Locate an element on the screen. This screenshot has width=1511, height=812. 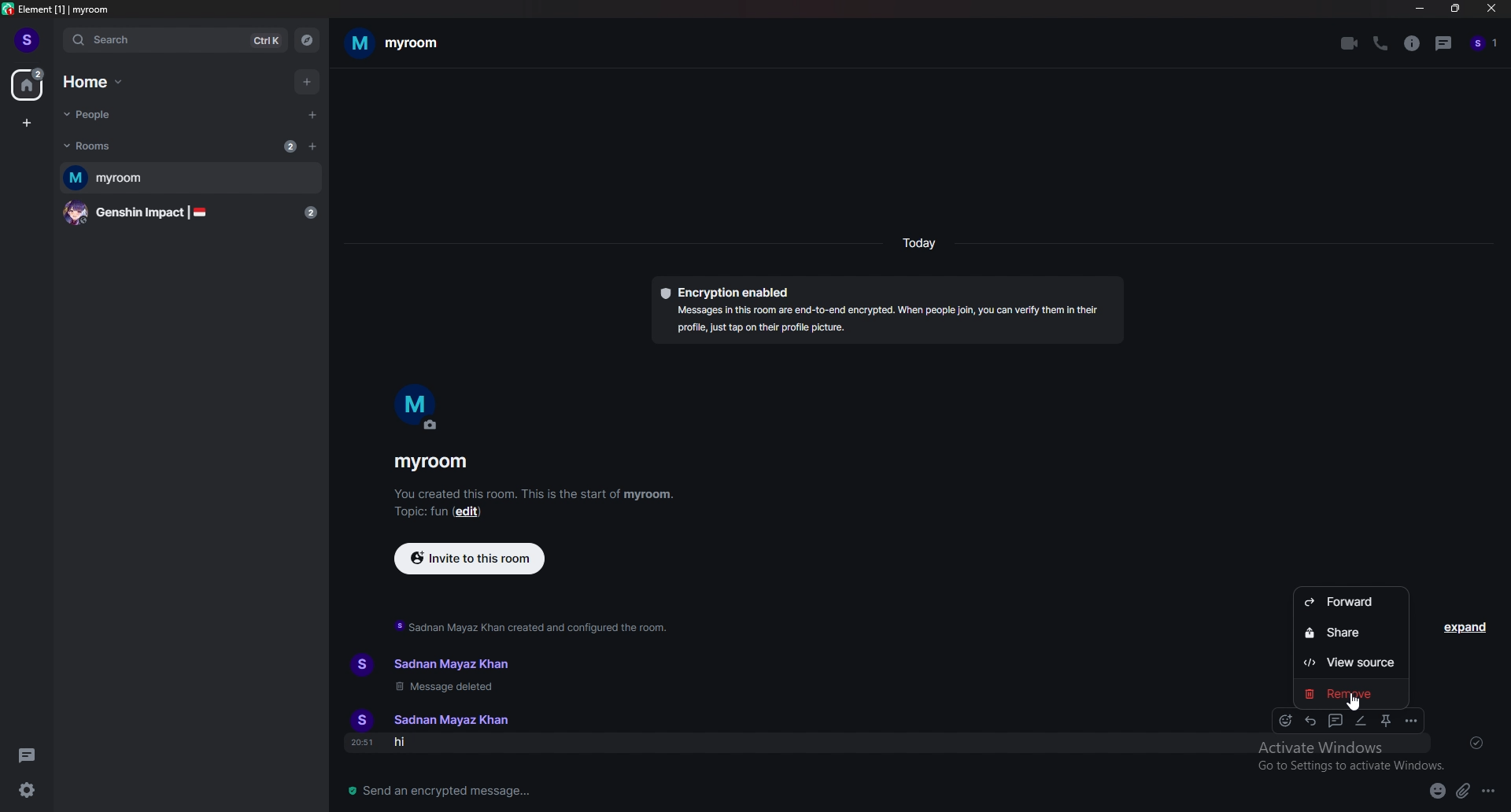
view source is located at coordinates (1352, 664).